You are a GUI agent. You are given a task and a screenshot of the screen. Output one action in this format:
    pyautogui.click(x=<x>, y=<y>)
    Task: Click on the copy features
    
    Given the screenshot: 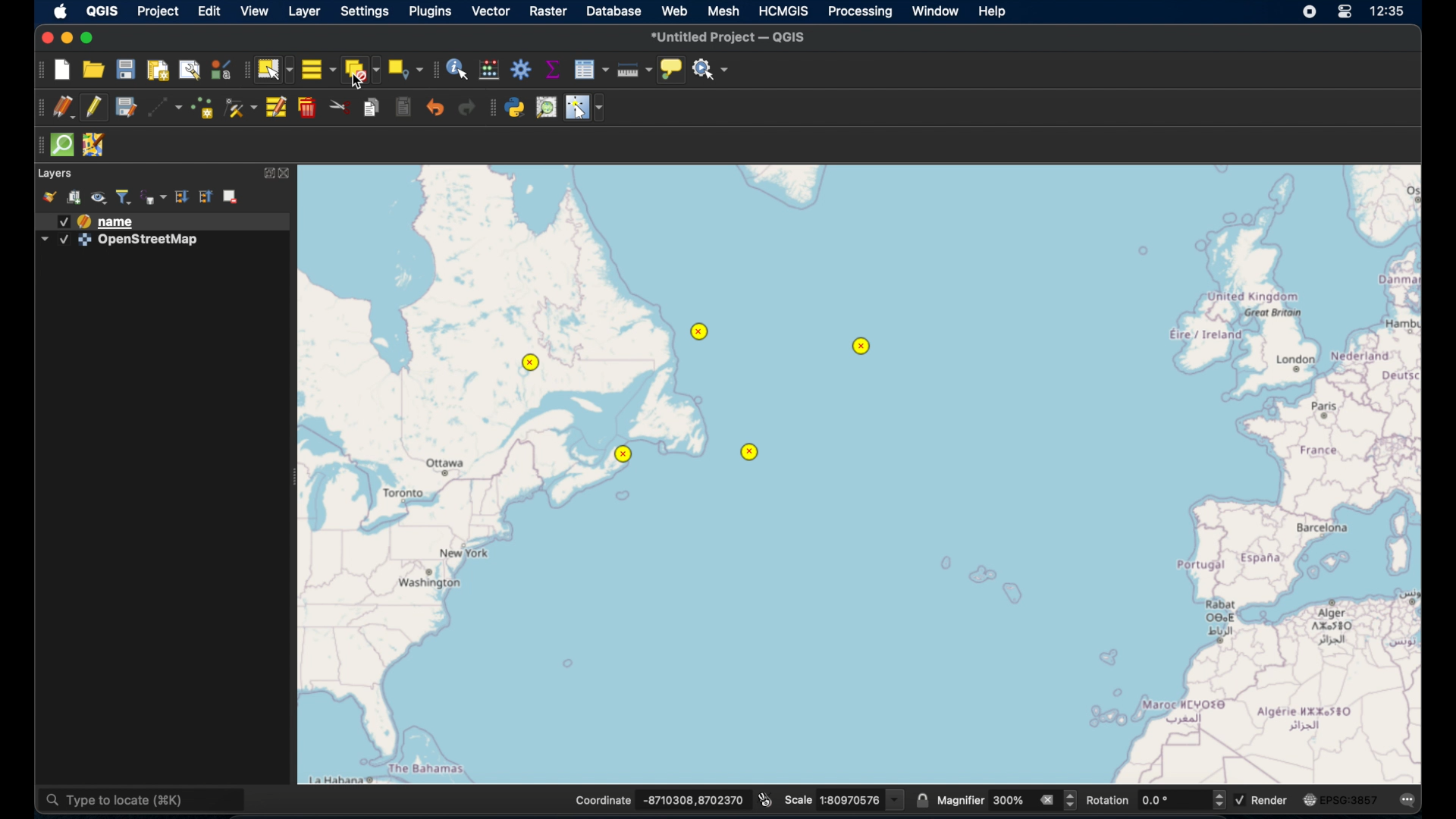 What is the action you would take?
    pyautogui.click(x=371, y=108)
    